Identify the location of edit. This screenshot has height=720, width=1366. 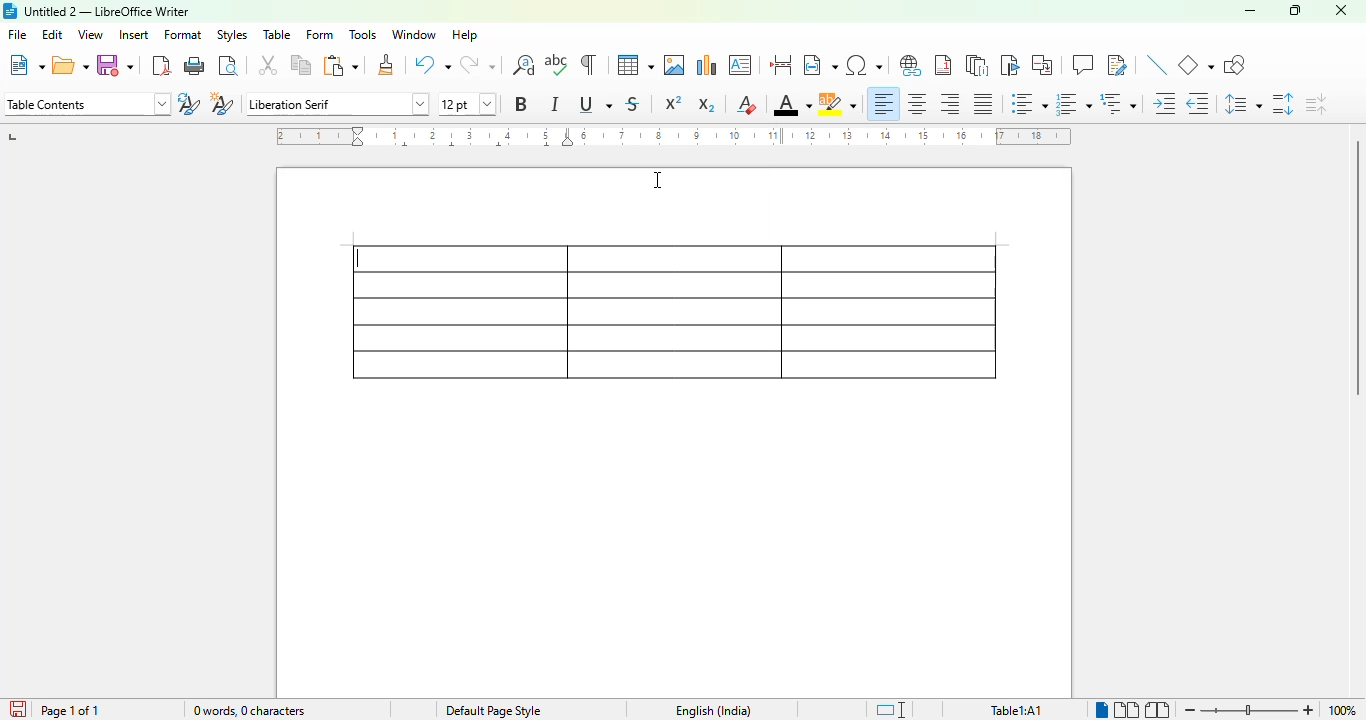
(53, 34).